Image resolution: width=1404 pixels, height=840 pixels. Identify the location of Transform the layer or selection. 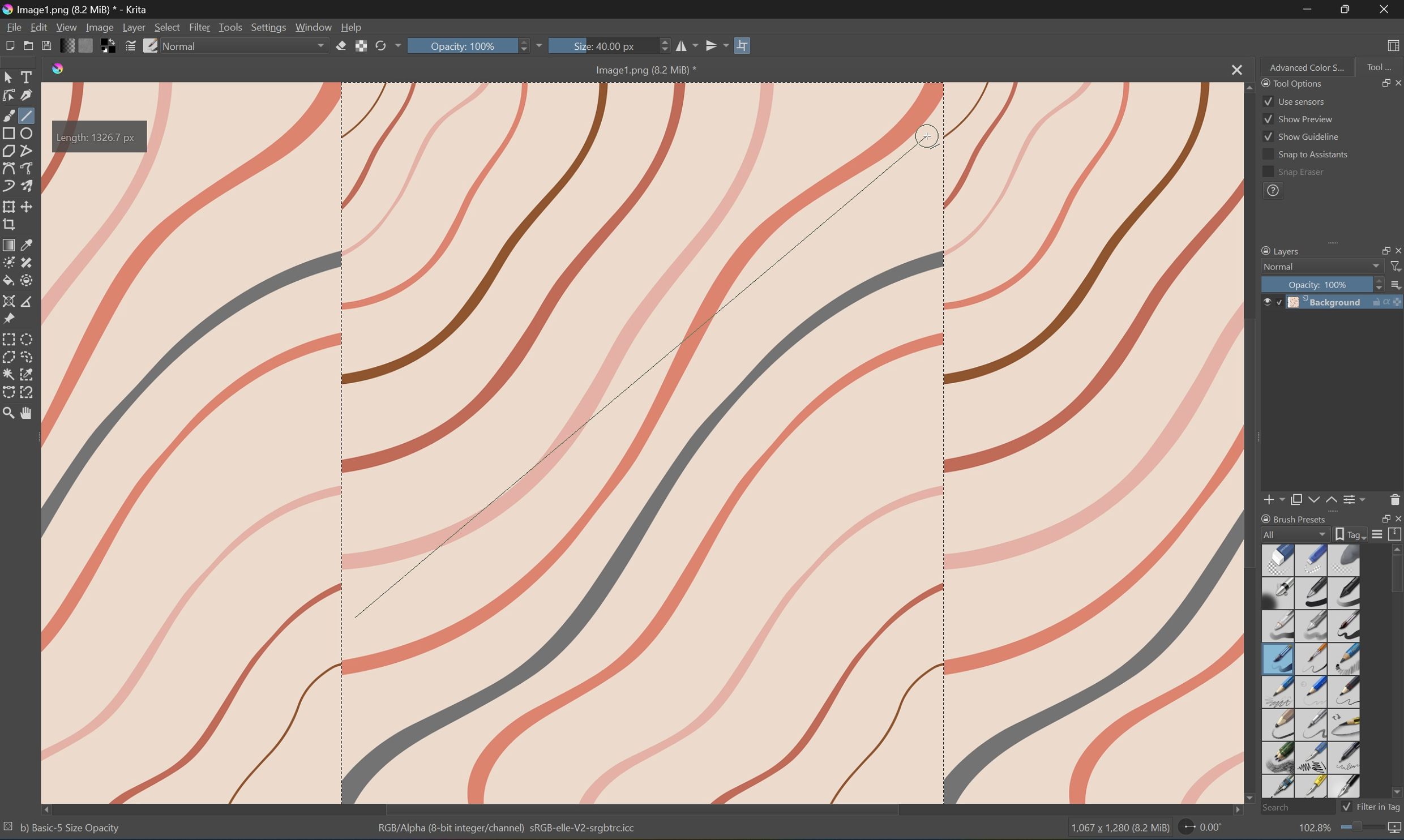
(9, 206).